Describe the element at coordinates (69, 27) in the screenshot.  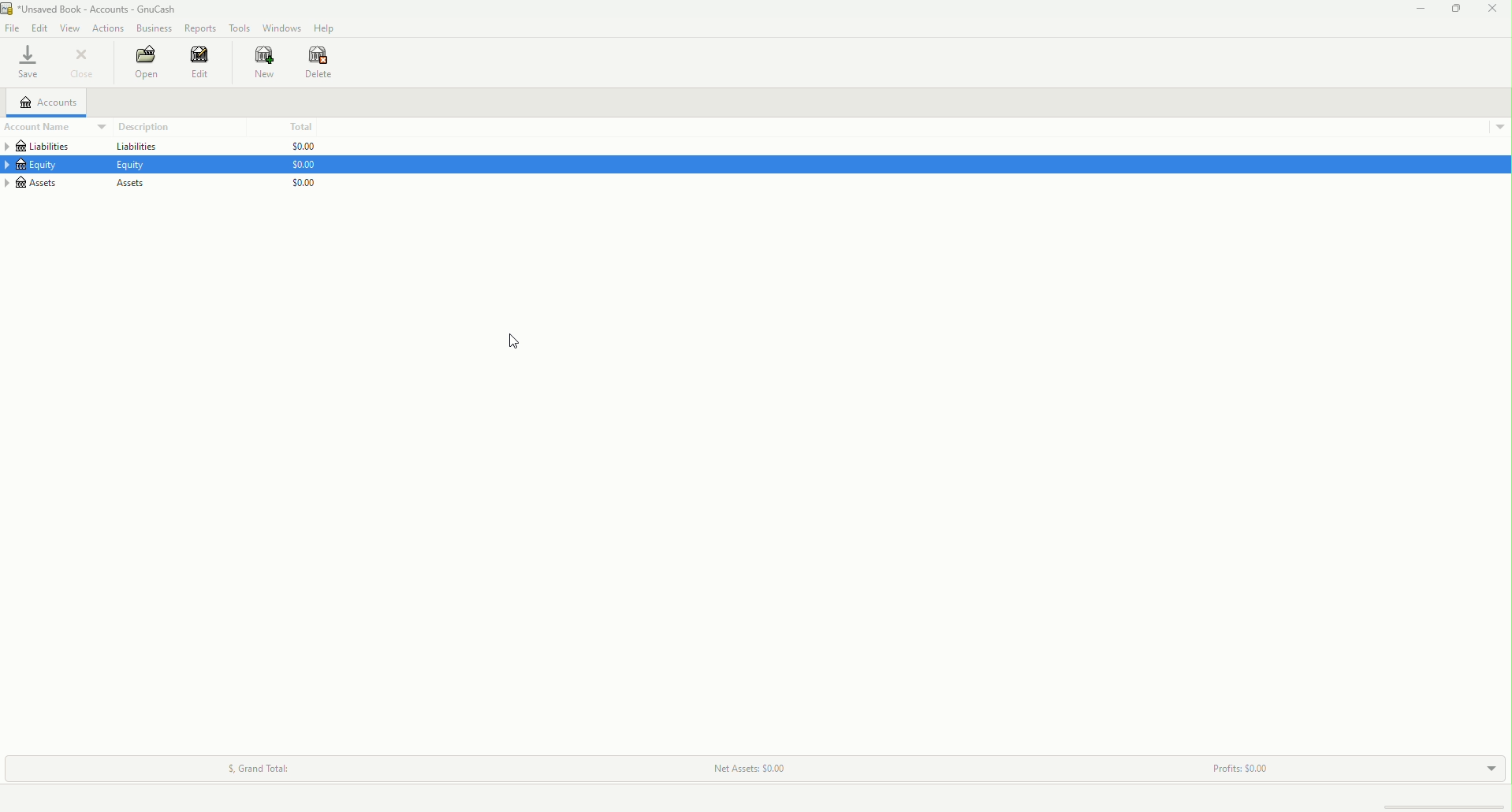
I see `View` at that location.